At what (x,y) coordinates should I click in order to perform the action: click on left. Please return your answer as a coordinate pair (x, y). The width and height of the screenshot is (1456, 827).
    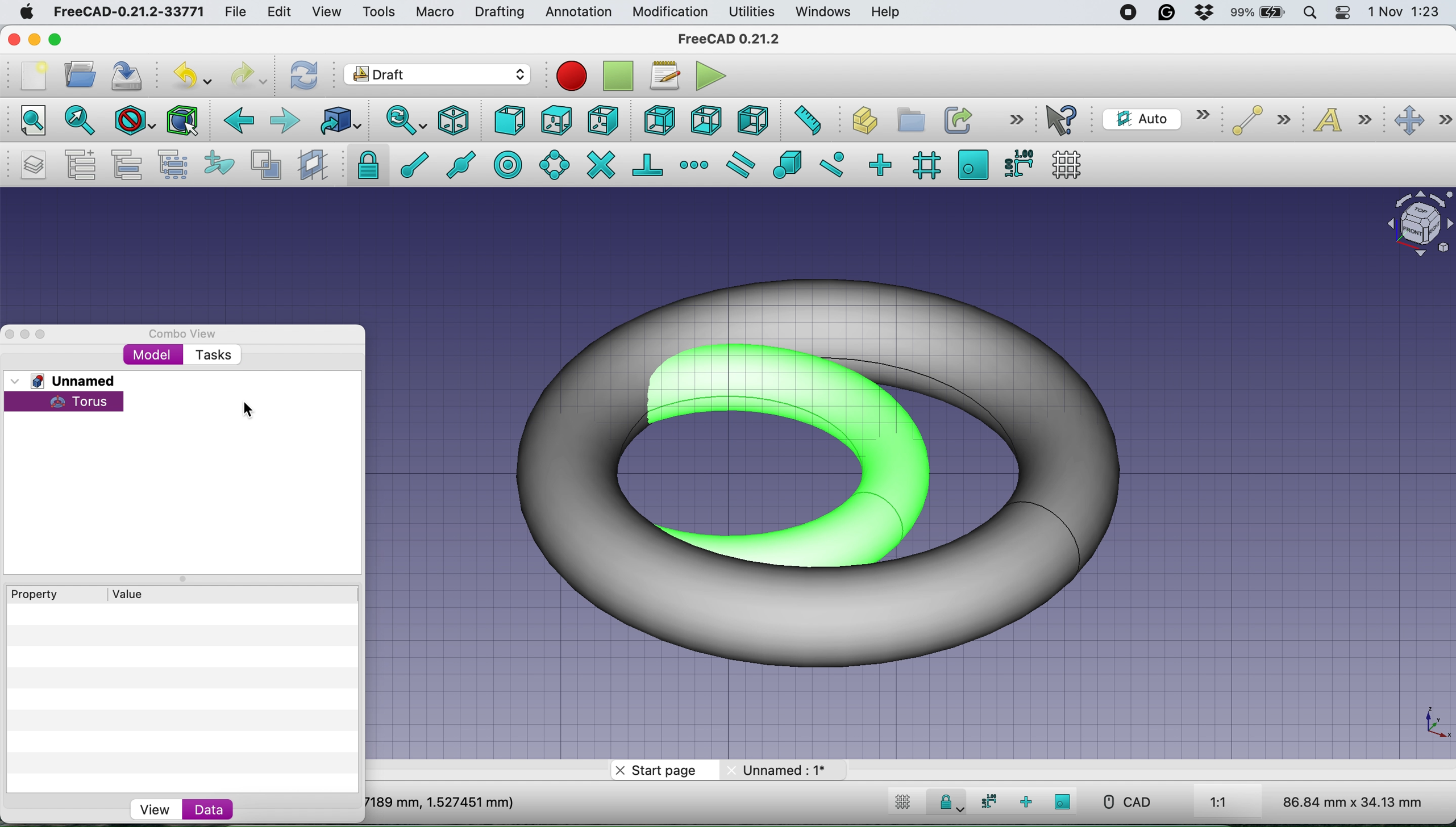
    Looking at the image, I should click on (750, 118).